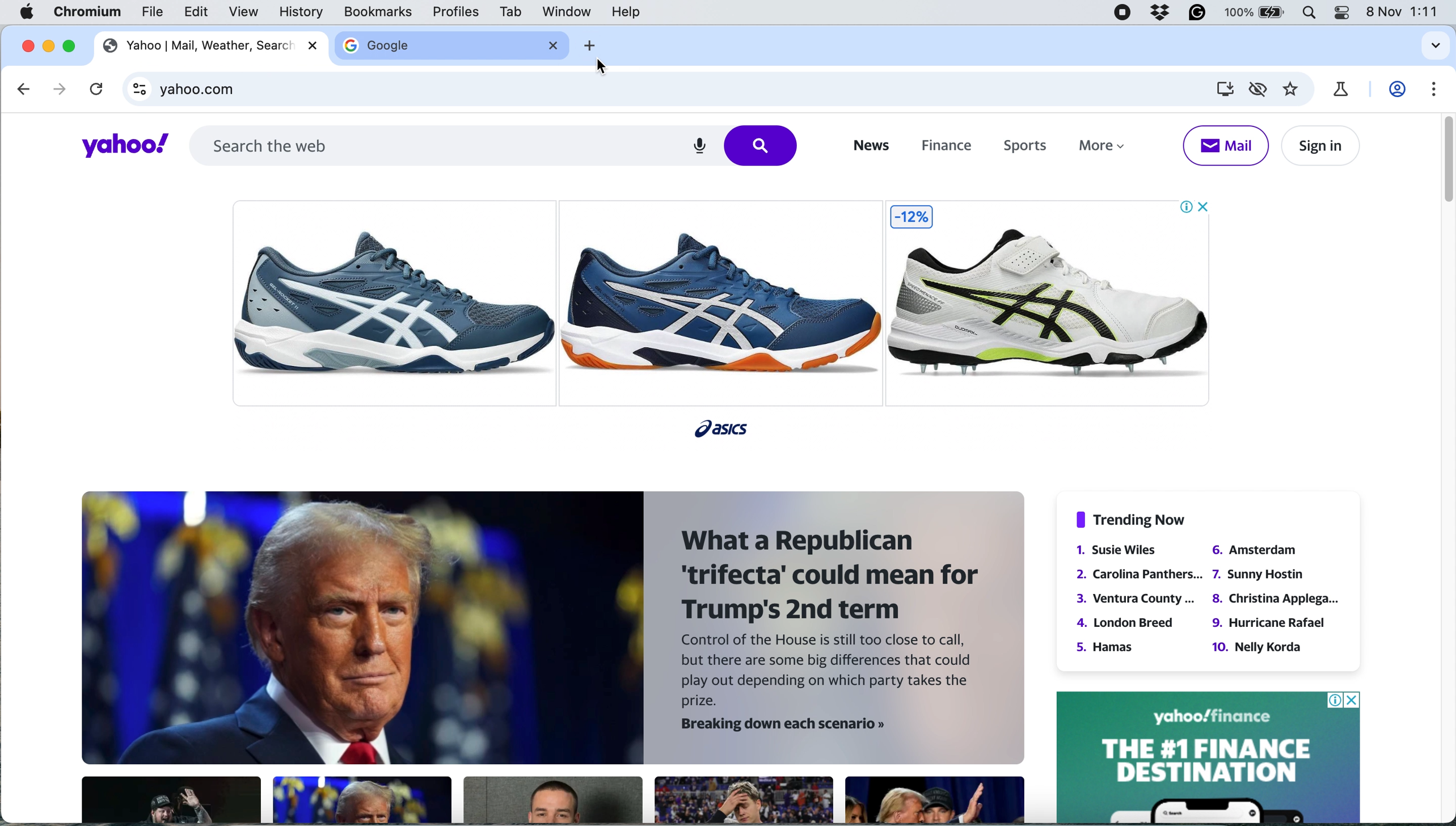 The image size is (1456, 826). What do you see at coordinates (567, 12) in the screenshot?
I see `window` at bounding box center [567, 12].